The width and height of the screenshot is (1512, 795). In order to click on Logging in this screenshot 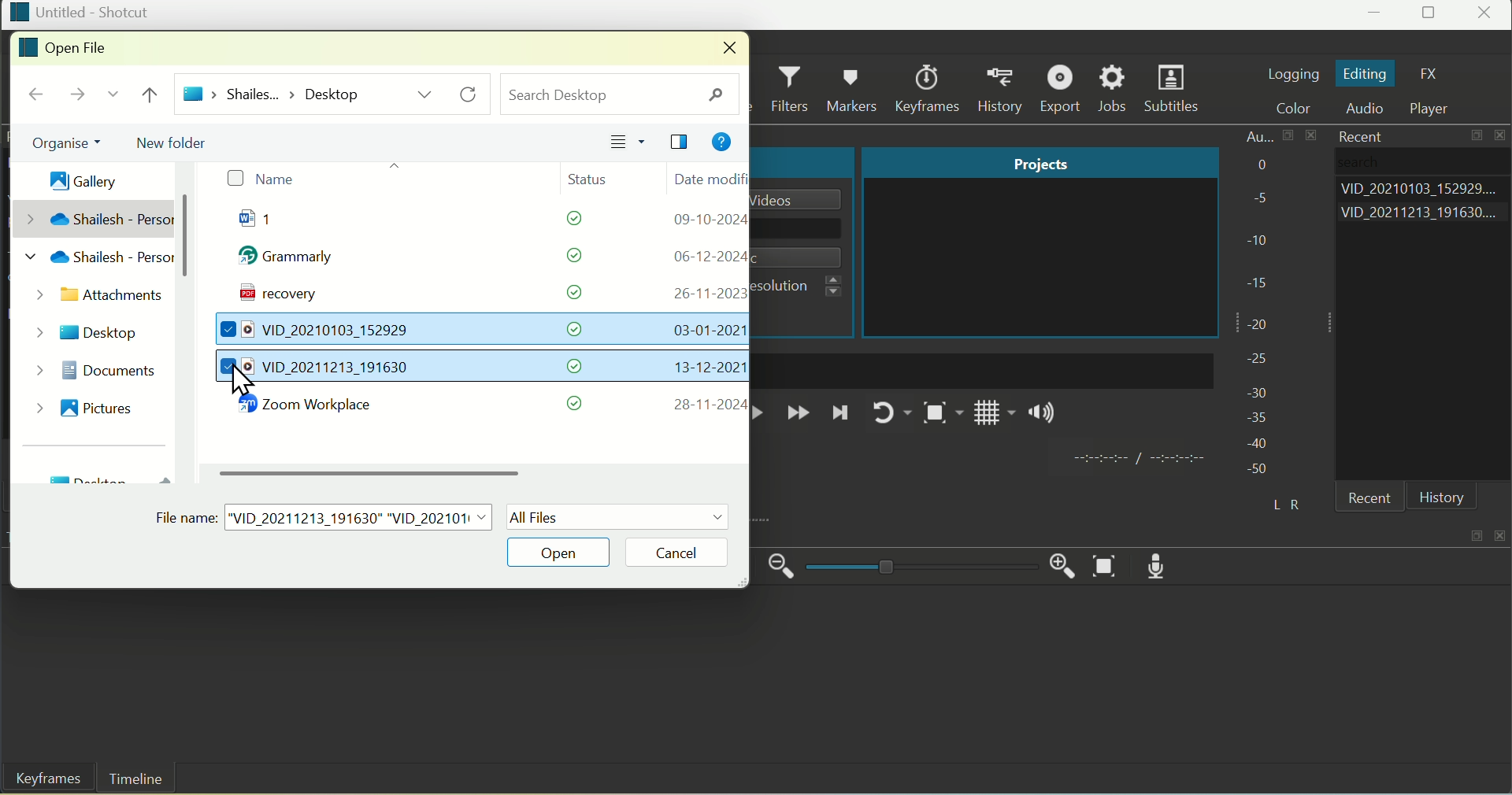, I will do `click(1292, 72)`.